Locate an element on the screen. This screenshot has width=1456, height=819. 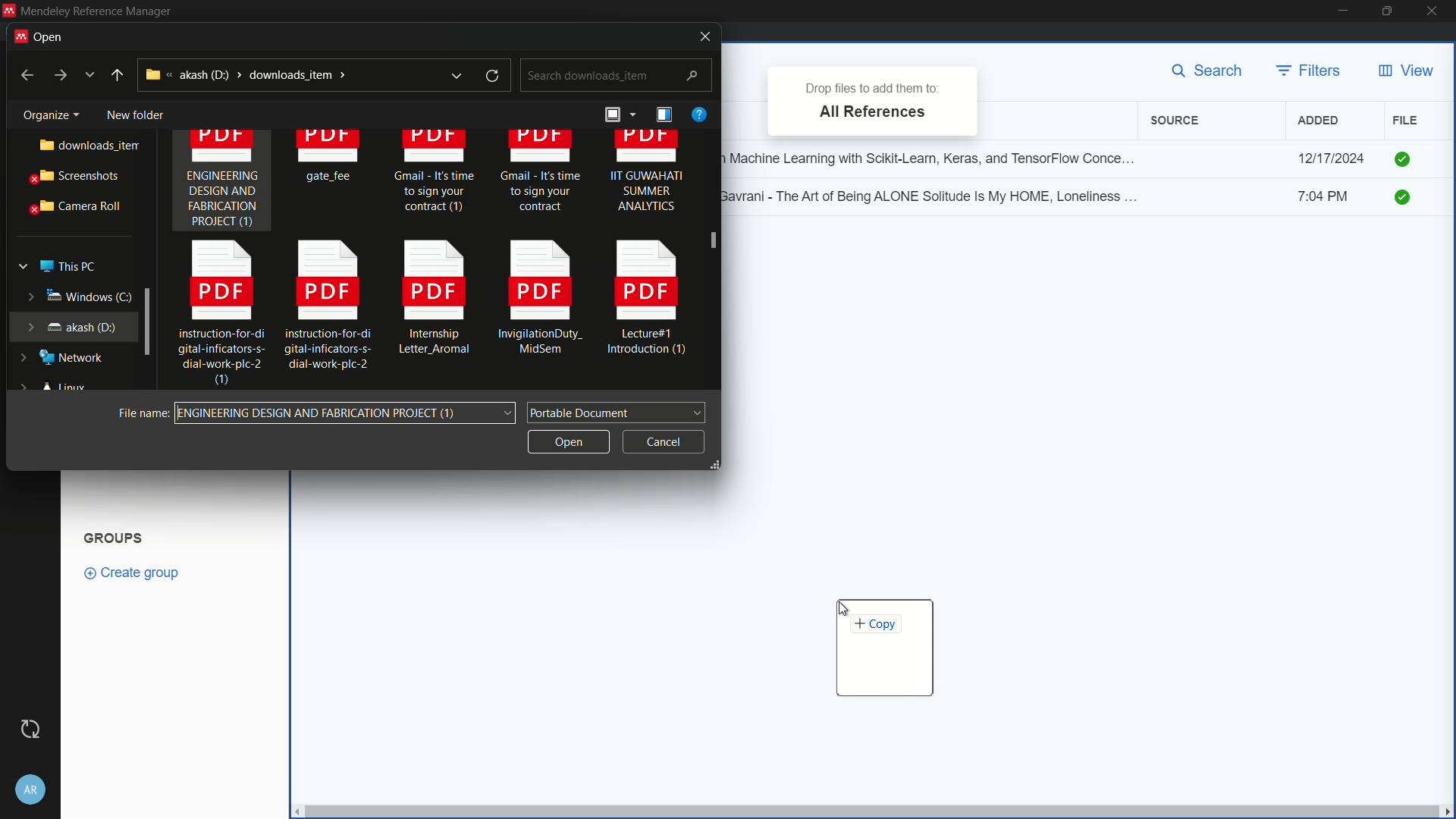
search is located at coordinates (1212, 72).